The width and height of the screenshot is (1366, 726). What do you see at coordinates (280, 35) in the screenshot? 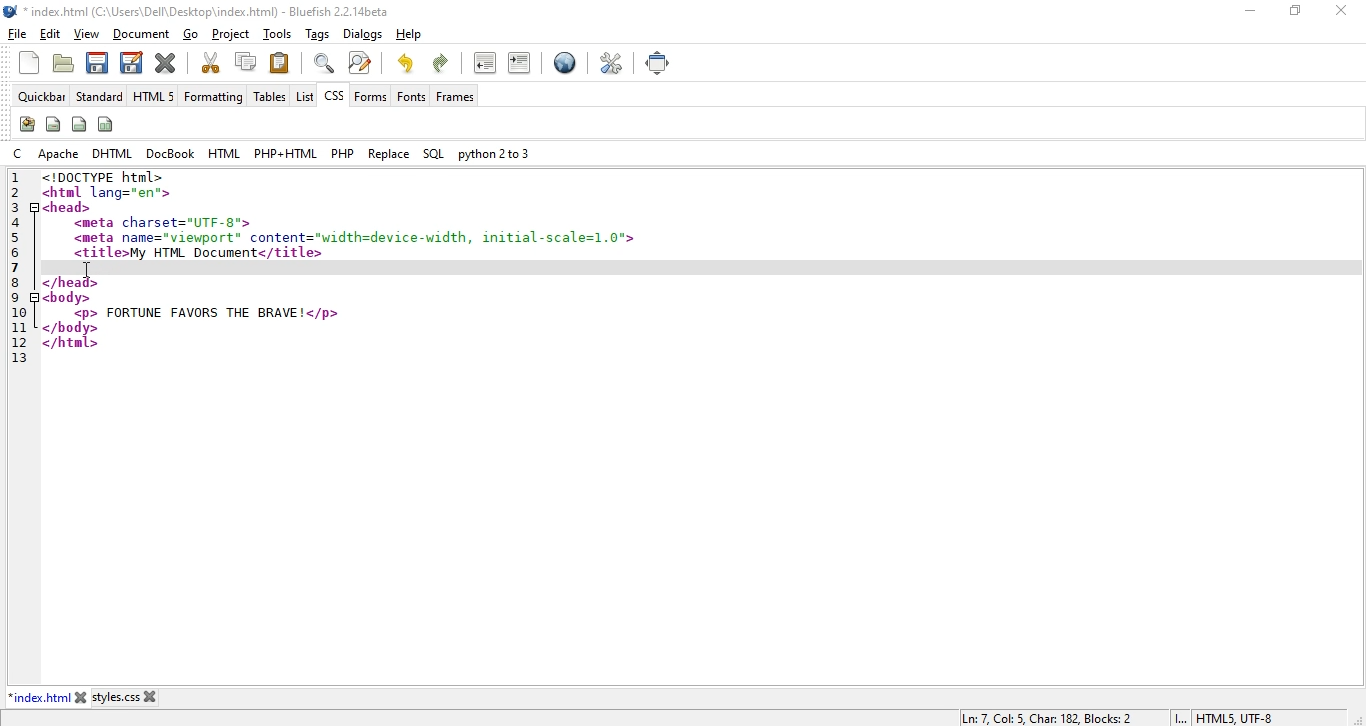
I see `tools` at bounding box center [280, 35].